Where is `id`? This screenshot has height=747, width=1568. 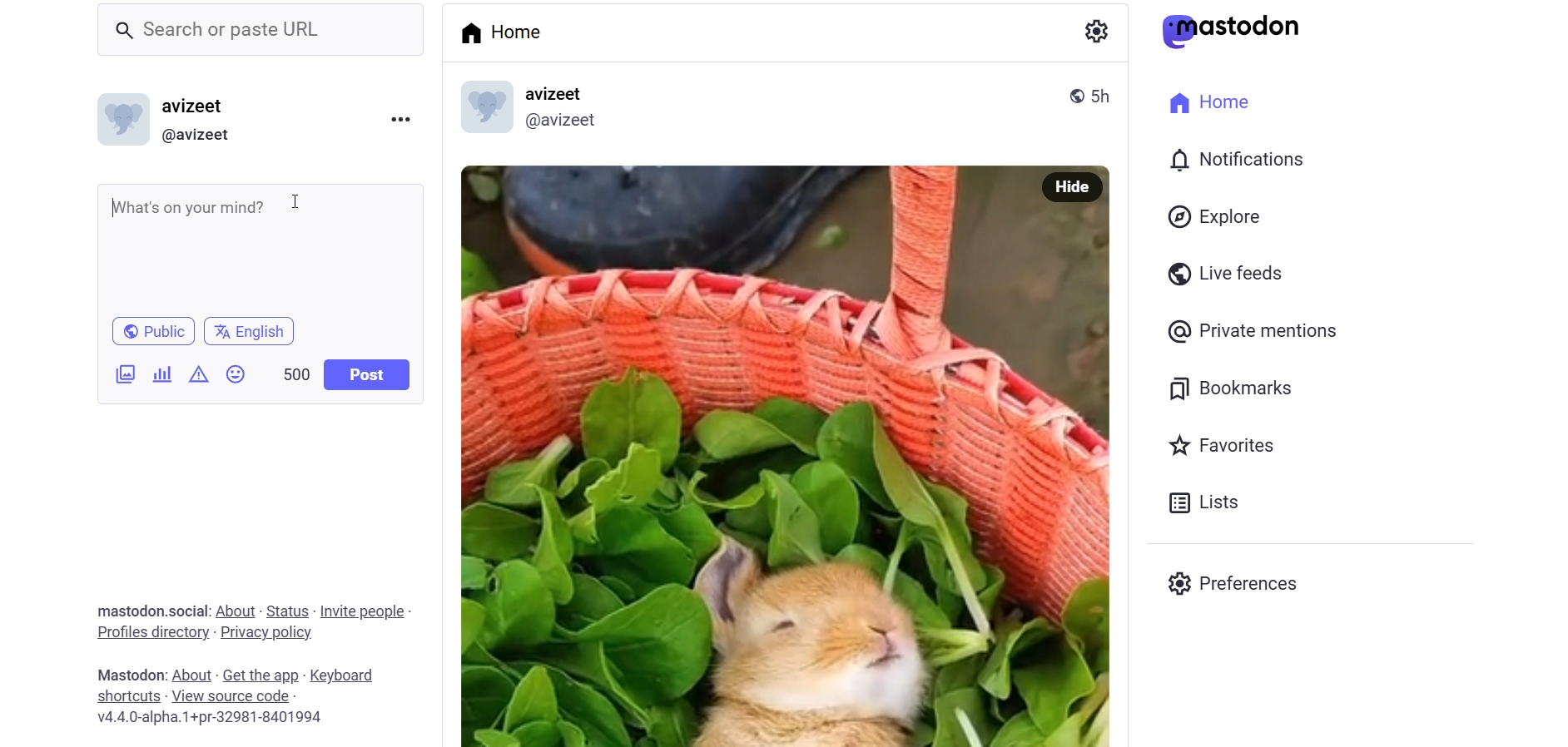
id is located at coordinates (201, 136).